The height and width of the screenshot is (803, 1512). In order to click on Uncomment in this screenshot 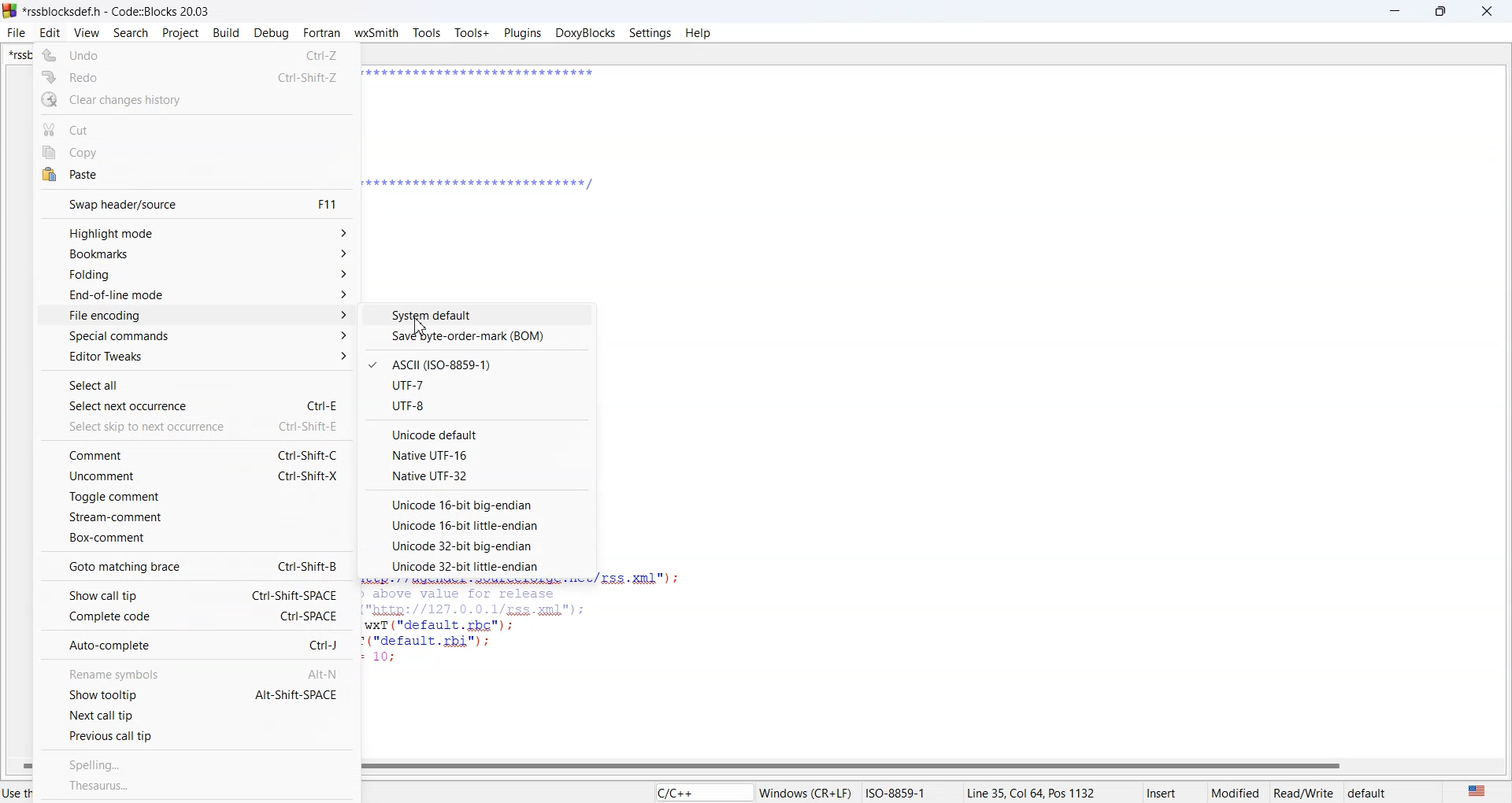, I will do `click(197, 476)`.